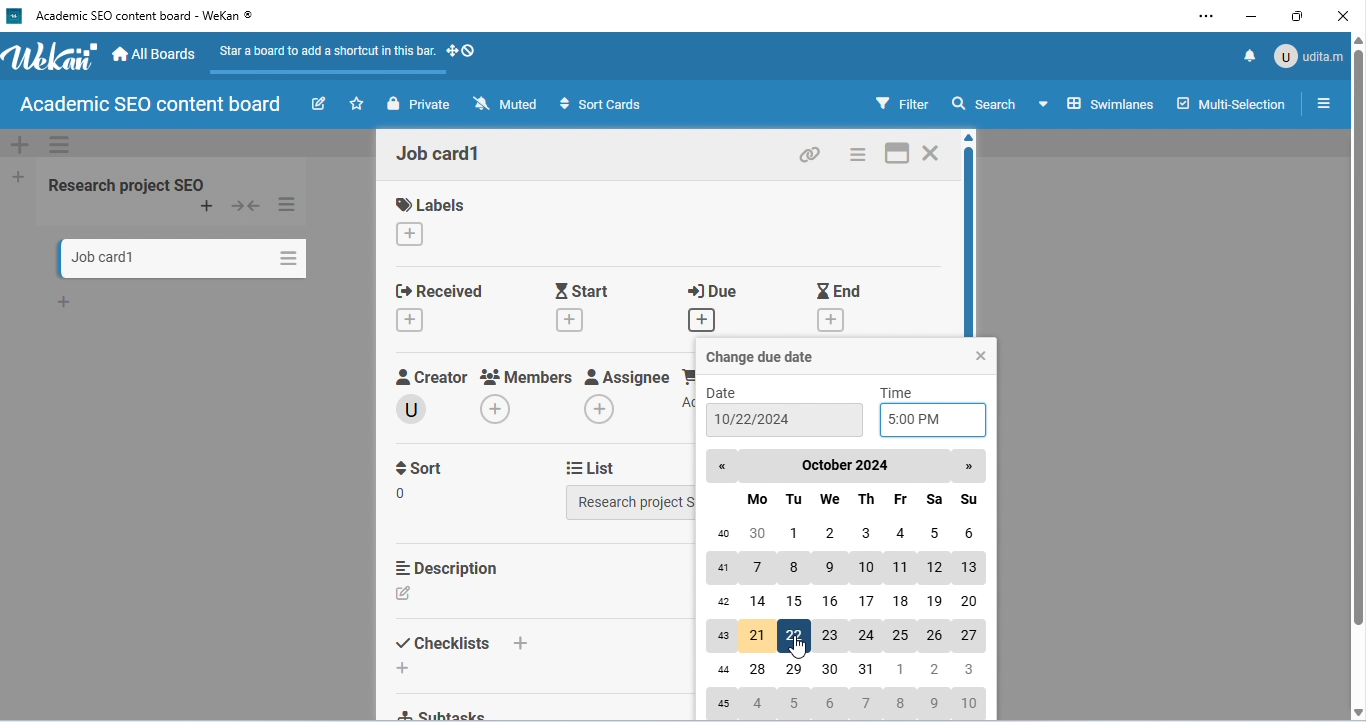 The width and height of the screenshot is (1366, 722). I want to click on close, so click(981, 354).